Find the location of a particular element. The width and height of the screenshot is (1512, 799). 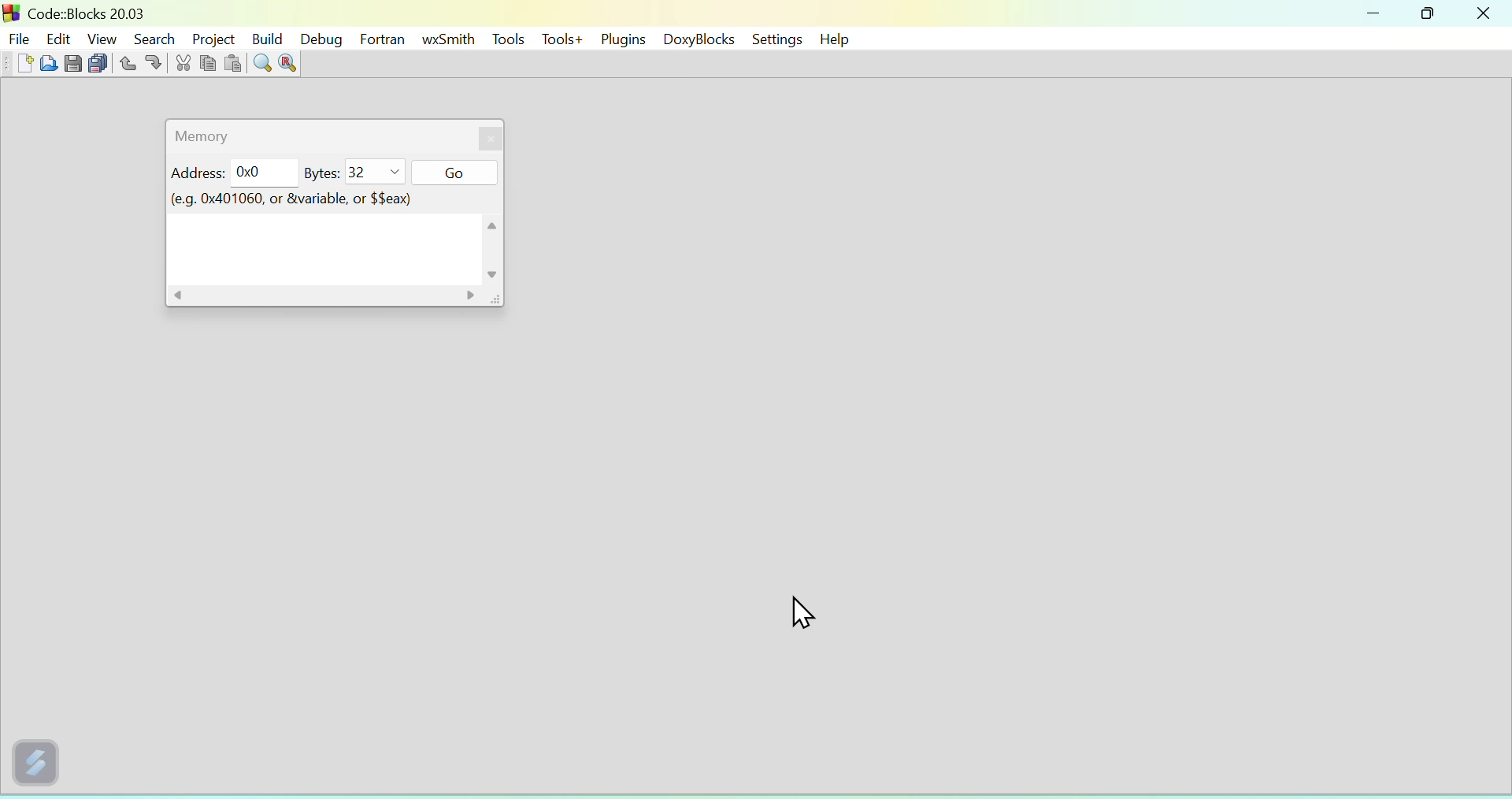

new file is located at coordinates (22, 63).